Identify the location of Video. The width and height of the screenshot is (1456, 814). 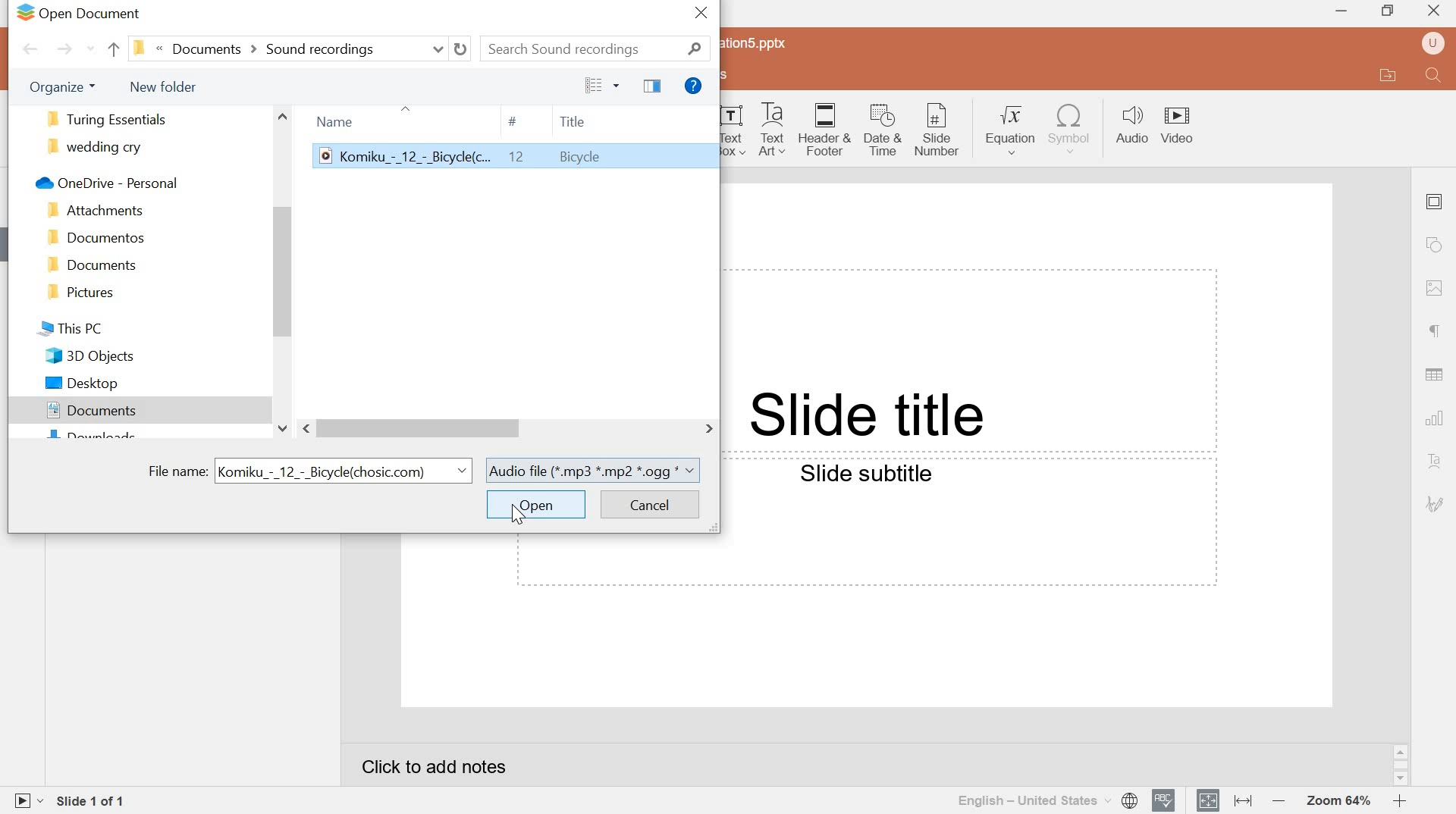
(1176, 115).